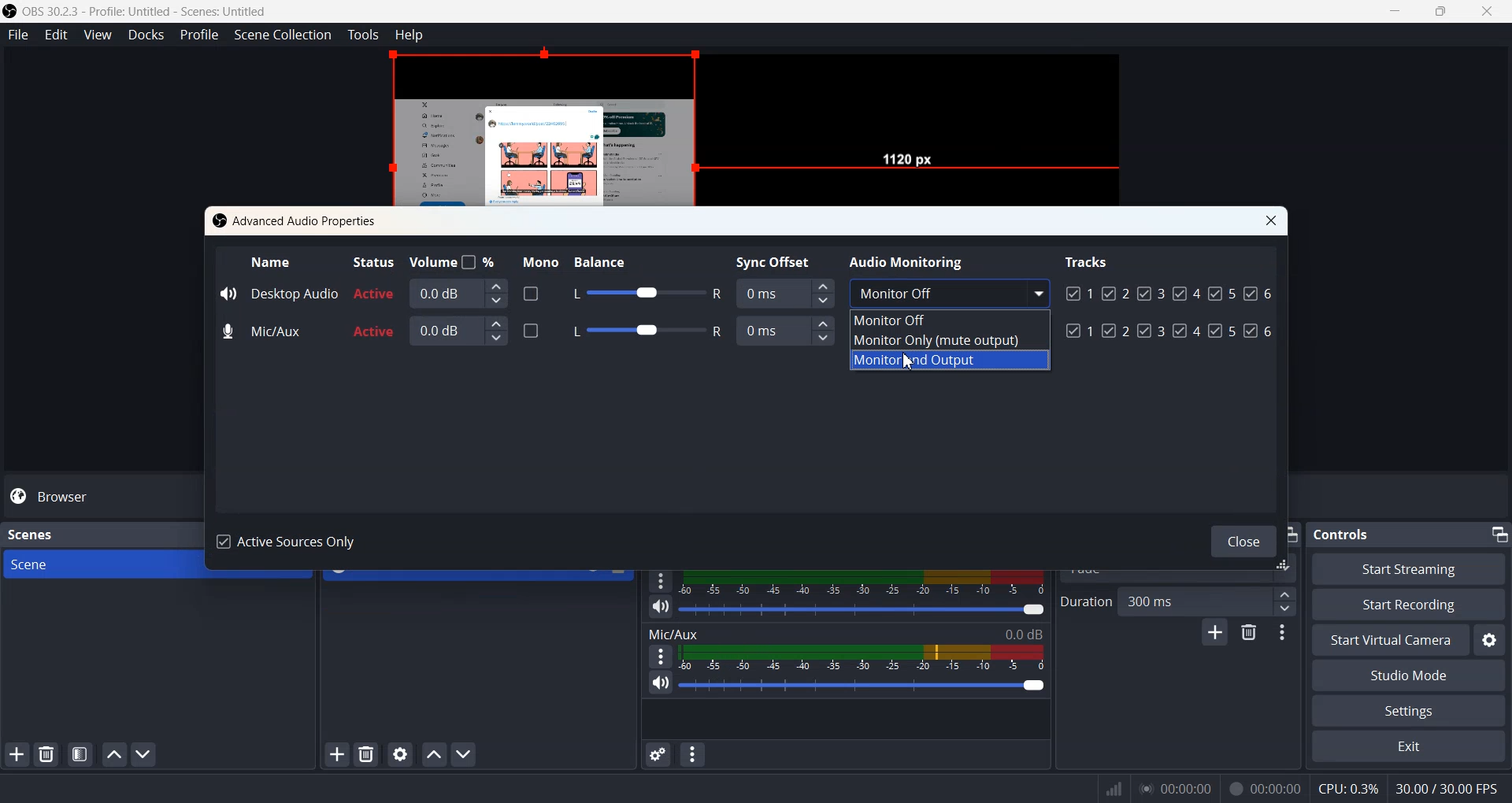 This screenshot has height=803, width=1512. I want to click on Balance, so click(614, 259).